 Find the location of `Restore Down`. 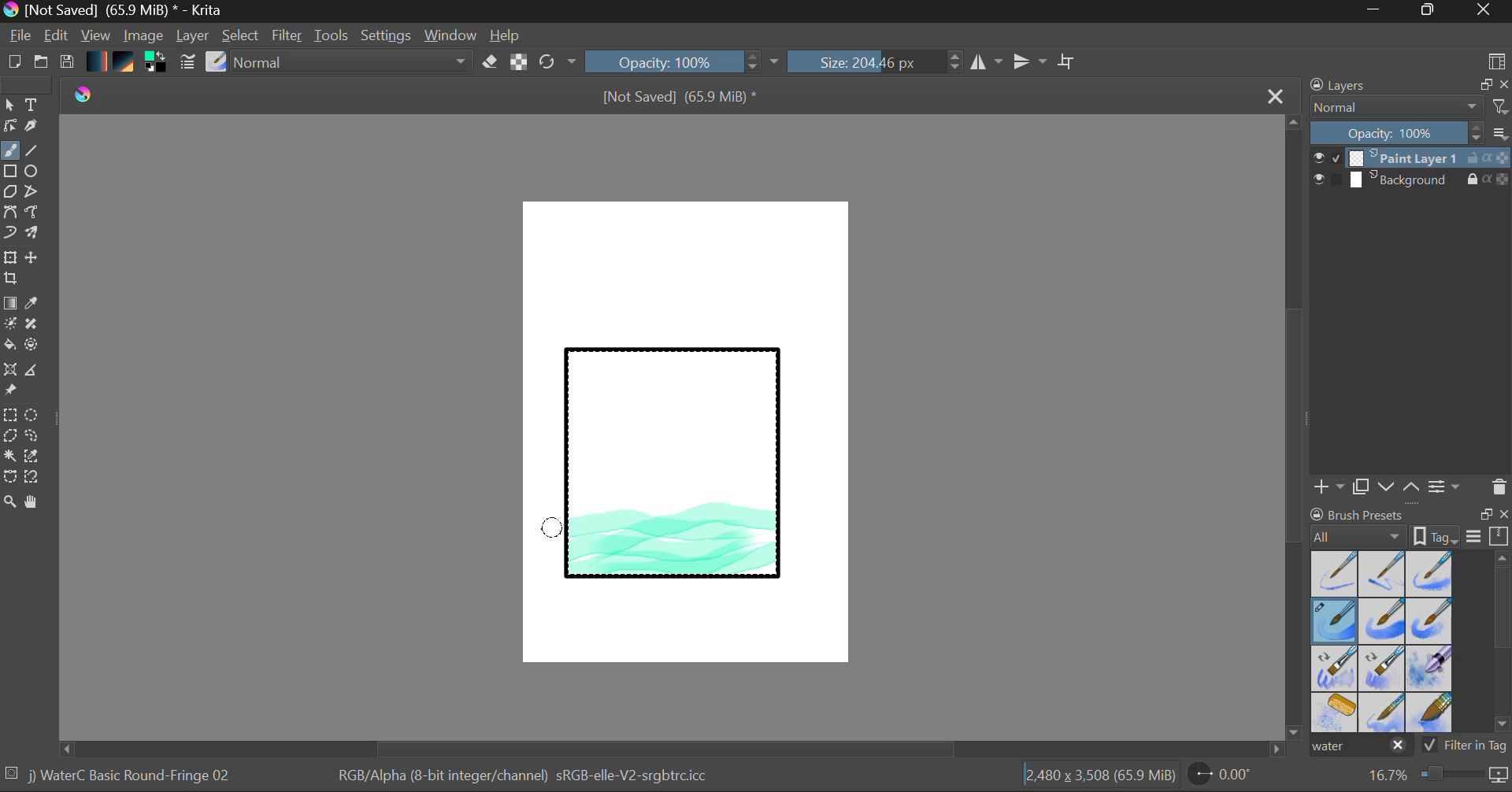

Restore Down is located at coordinates (1379, 11).